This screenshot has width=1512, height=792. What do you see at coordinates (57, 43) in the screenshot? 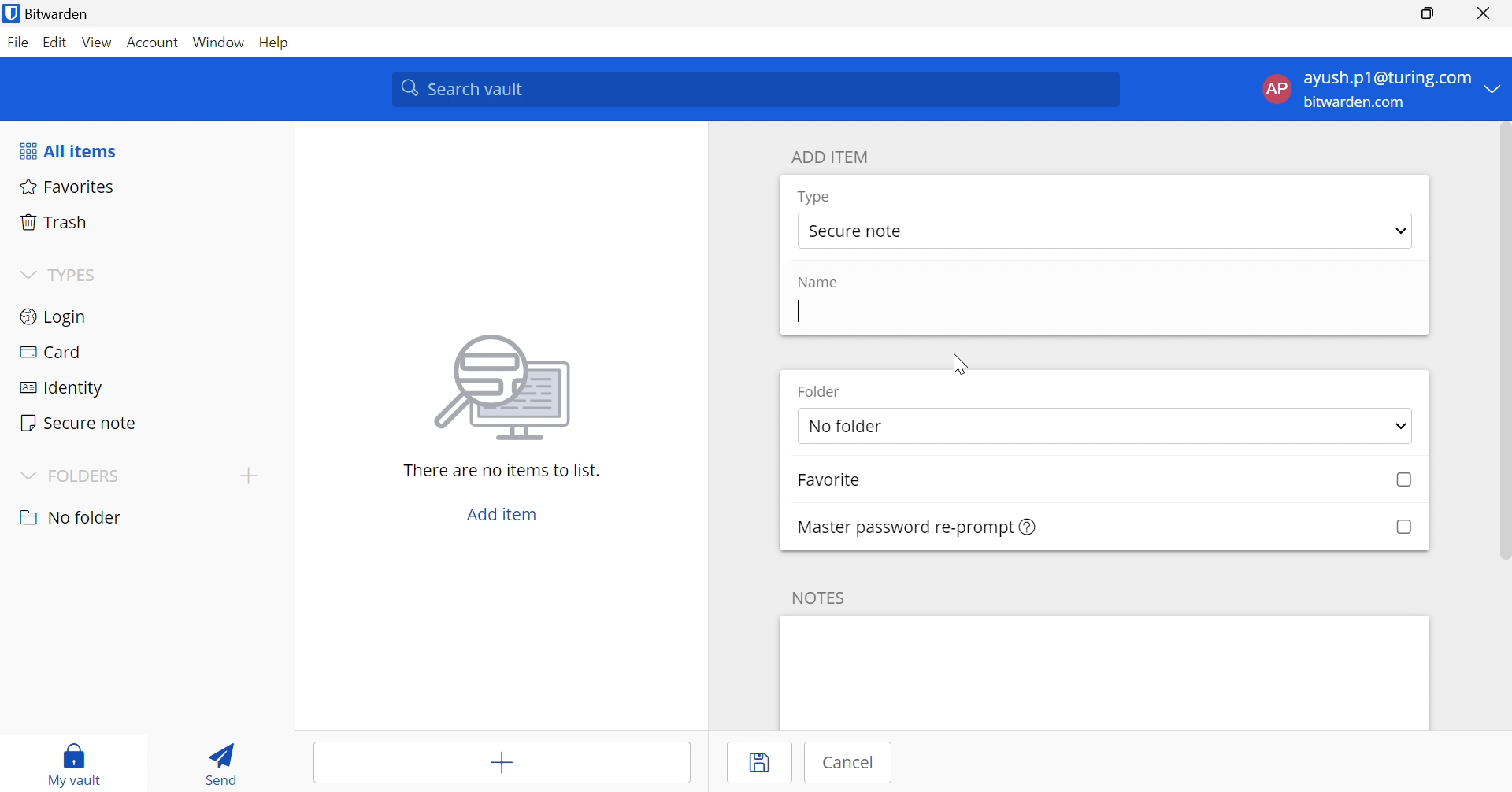
I see `Edit` at bounding box center [57, 43].